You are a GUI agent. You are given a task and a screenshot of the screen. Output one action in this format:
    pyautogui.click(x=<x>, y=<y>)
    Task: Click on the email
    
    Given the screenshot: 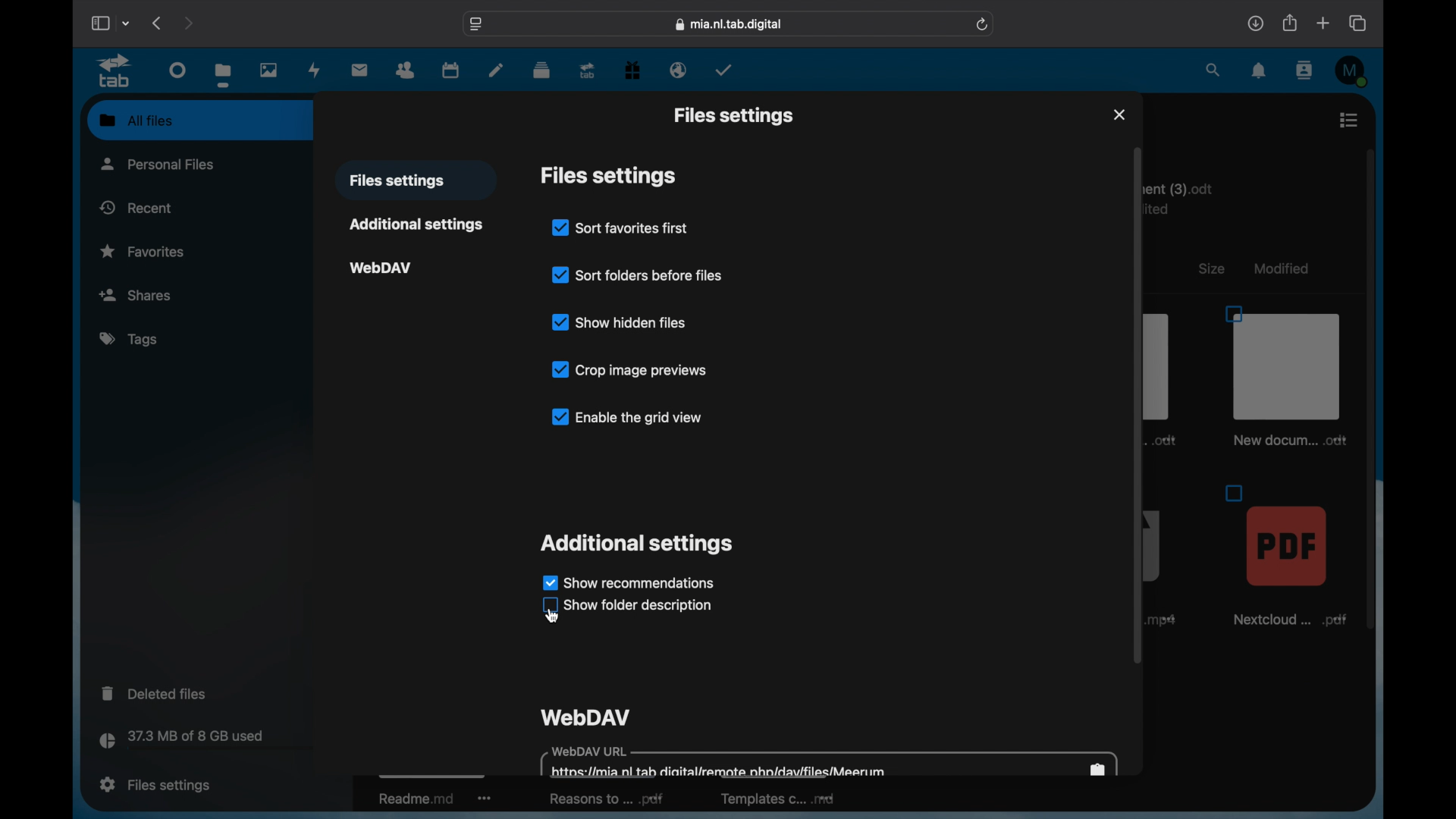 What is the action you would take?
    pyautogui.click(x=679, y=71)
    